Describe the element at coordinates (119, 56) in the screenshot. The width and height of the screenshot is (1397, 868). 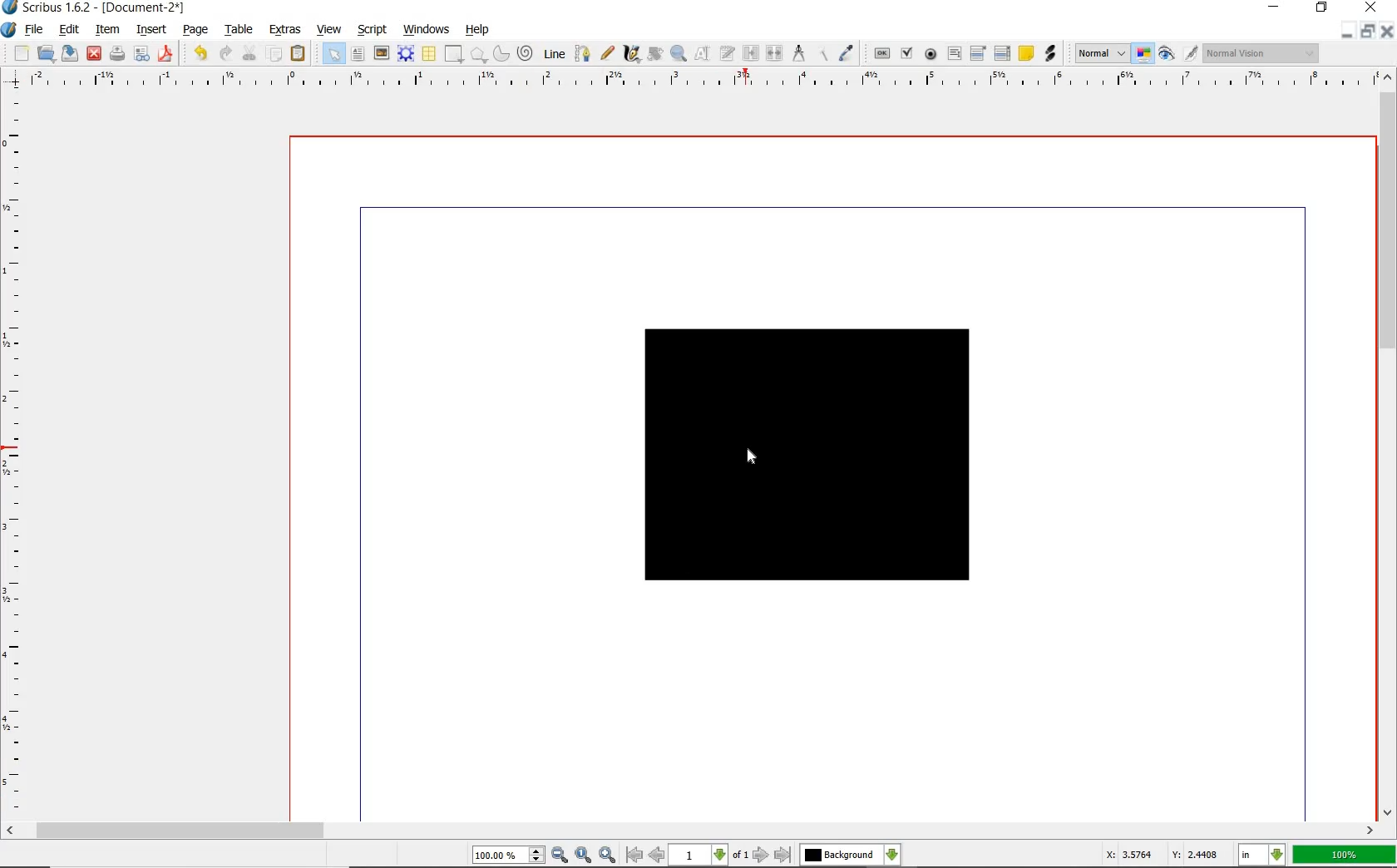
I see `print` at that location.